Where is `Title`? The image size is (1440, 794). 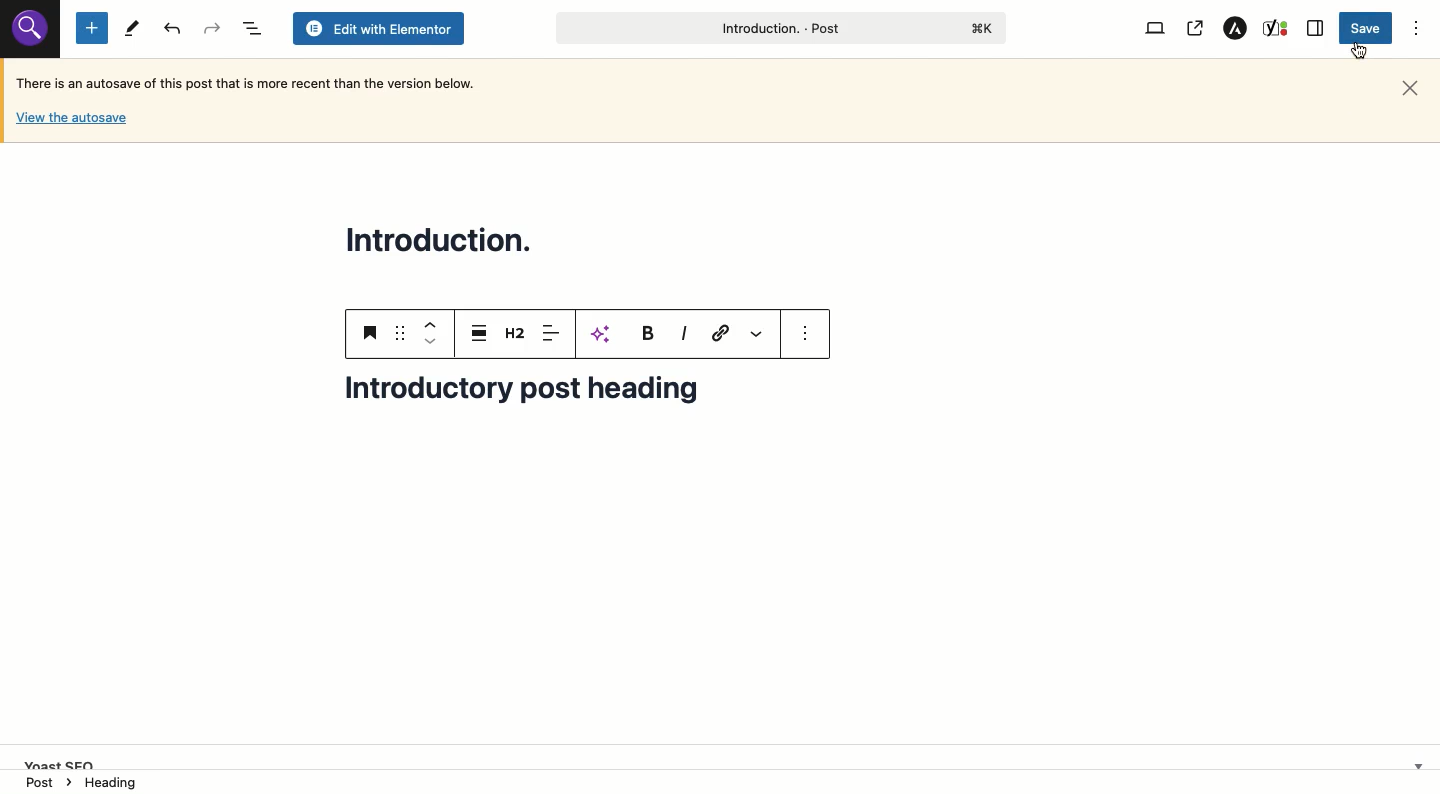
Title is located at coordinates (444, 238).